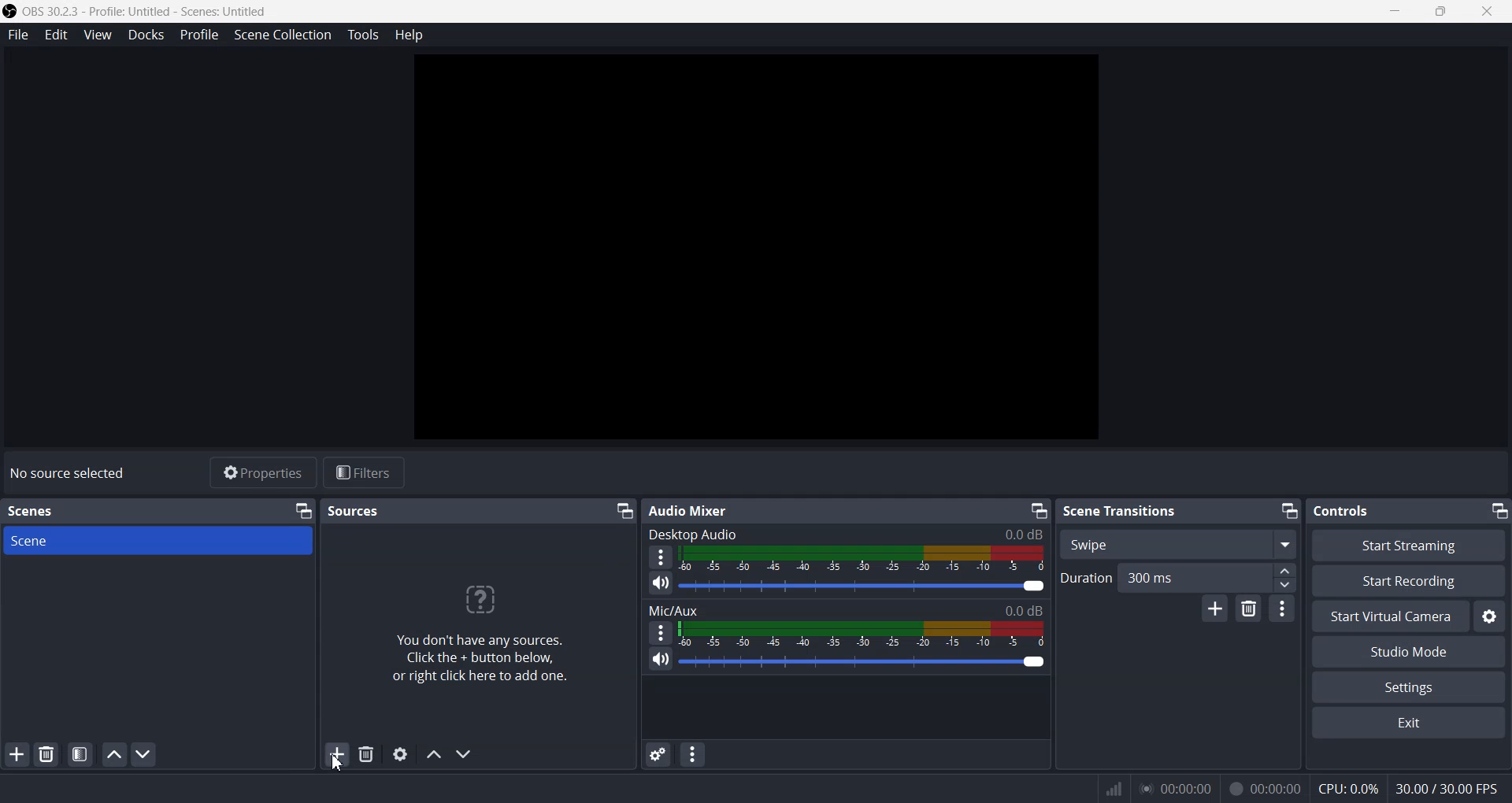 This screenshot has width=1512, height=803. Describe the element at coordinates (661, 583) in the screenshot. I see `Mute/ Unmute` at that location.